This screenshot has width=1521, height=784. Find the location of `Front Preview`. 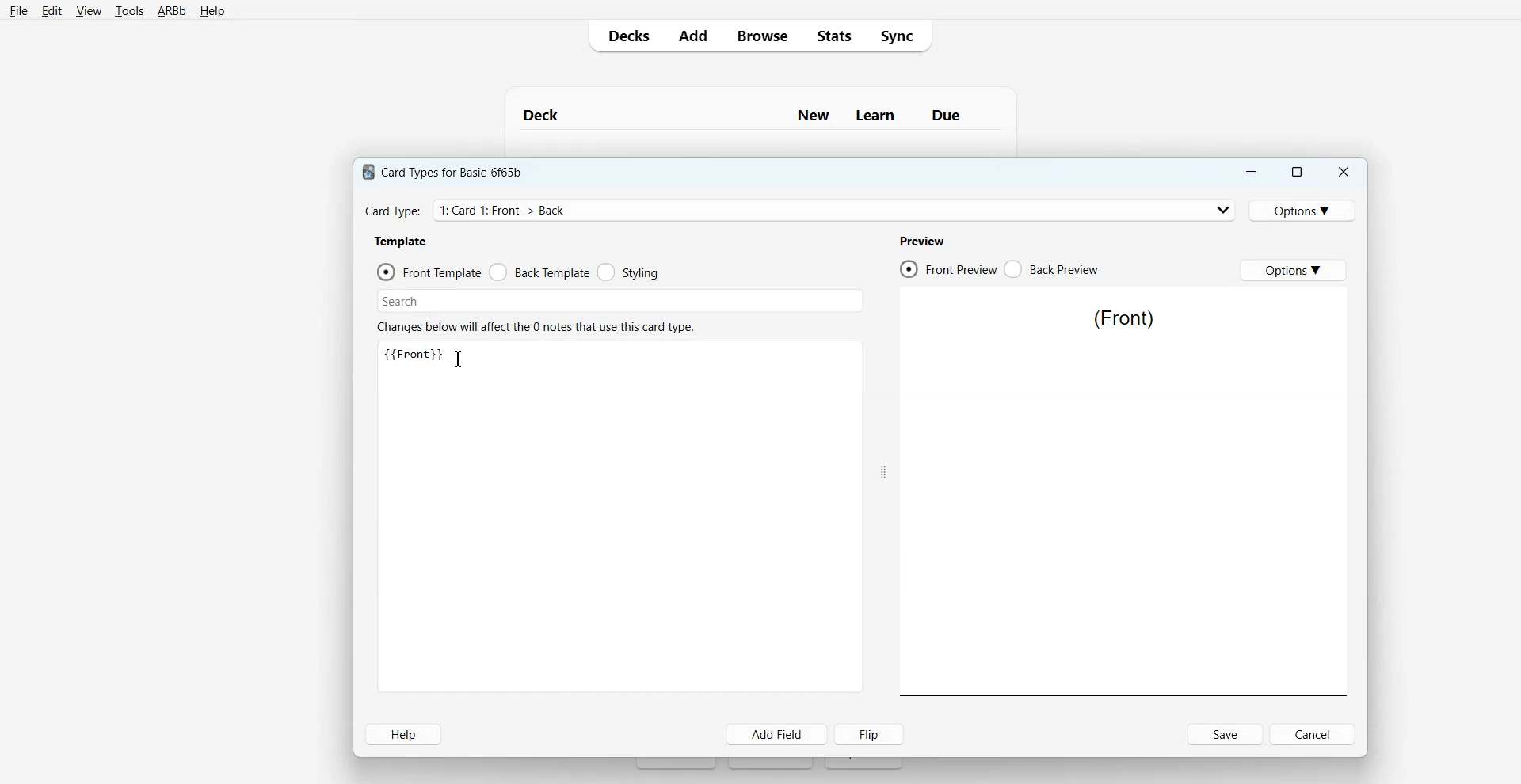

Front Preview is located at coordinates (947, 268).